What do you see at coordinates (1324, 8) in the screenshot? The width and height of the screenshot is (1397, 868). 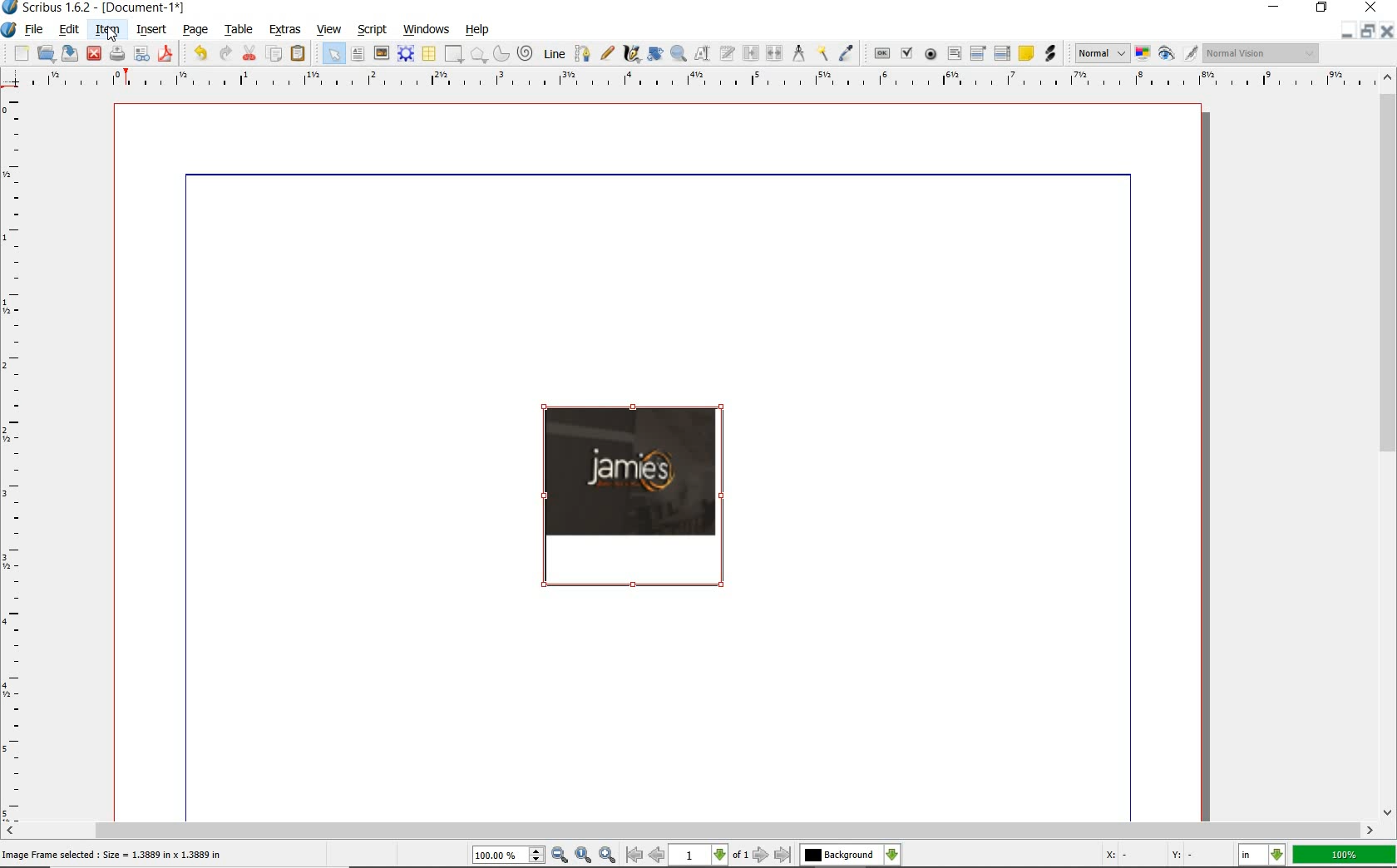 I see `restore` at bounding box center [1324, 8].